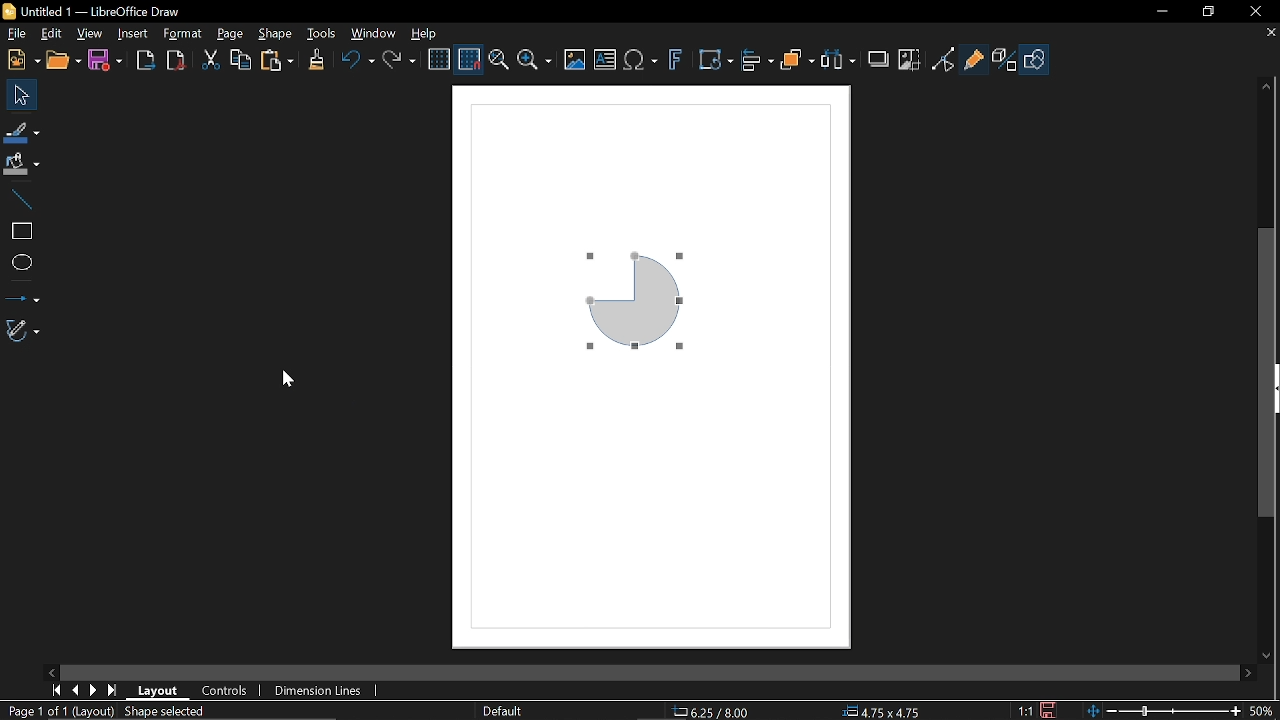 The image size is (1280, 720). Describe the element at coordinates (18, 231) in the screenshot. I see `Rectangle` at that location.